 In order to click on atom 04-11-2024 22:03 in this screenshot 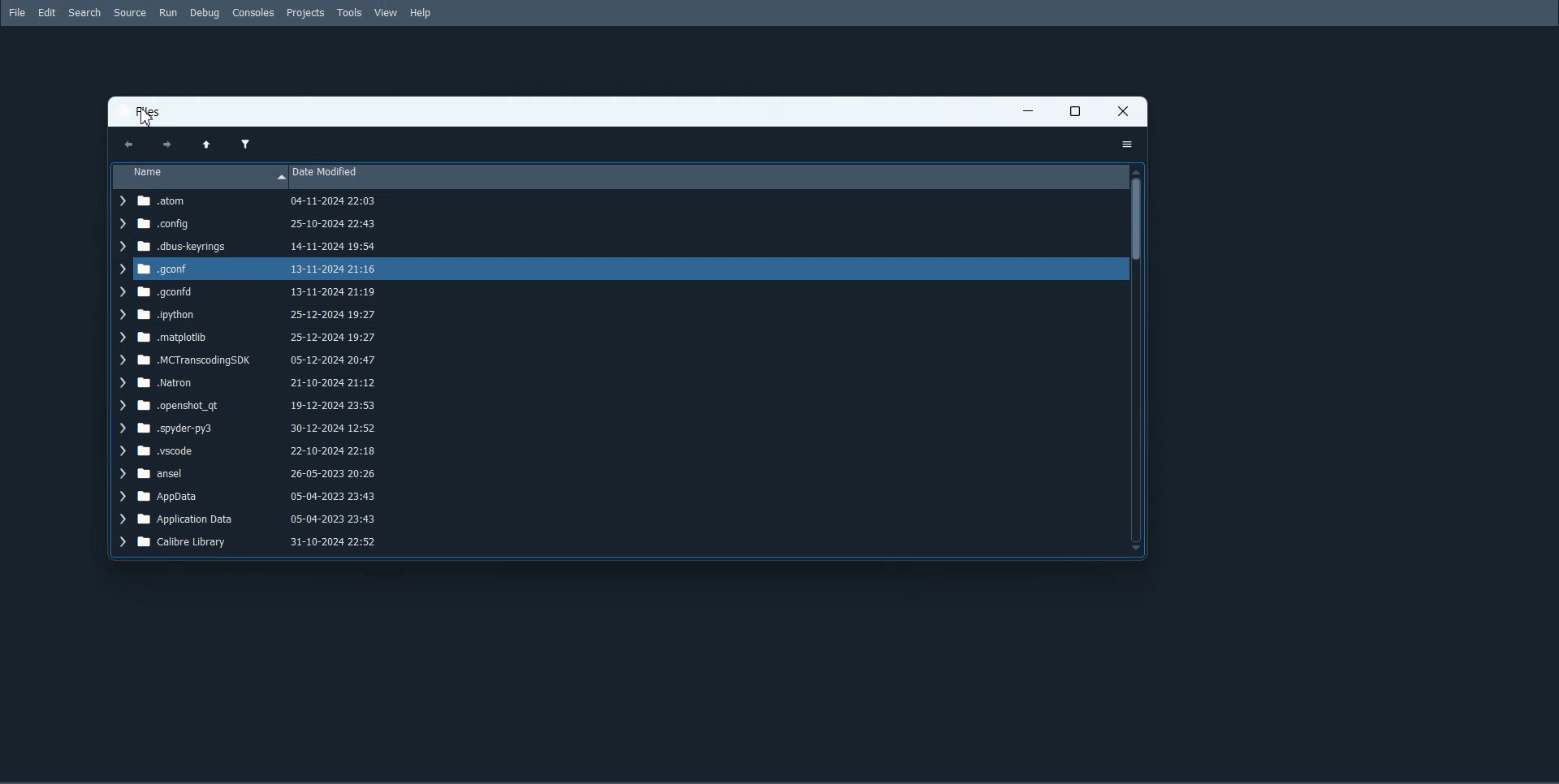, I will do `click(253, 201)`.